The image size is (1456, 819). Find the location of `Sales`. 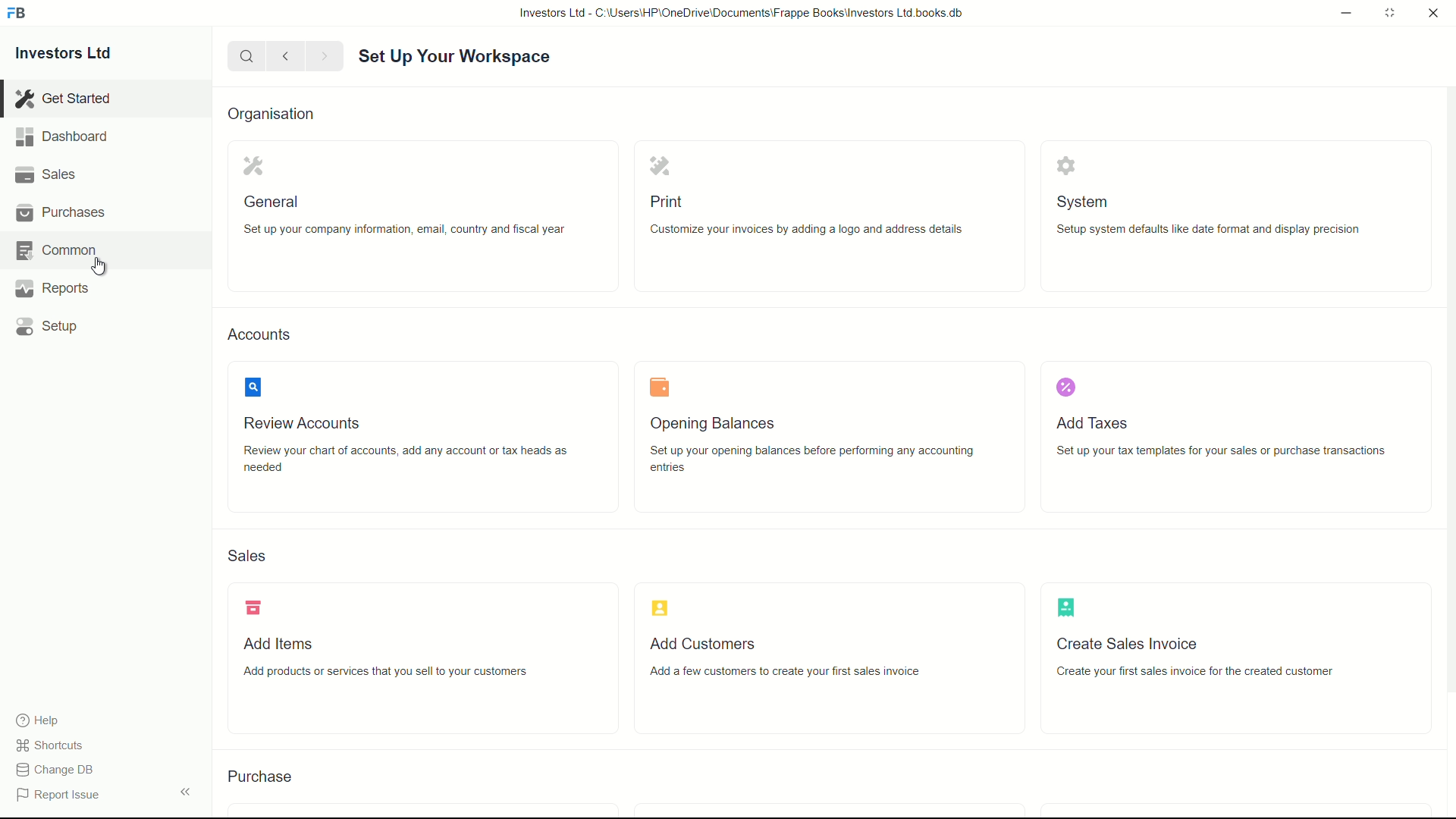

Sales is located at coordinates (254, 557).